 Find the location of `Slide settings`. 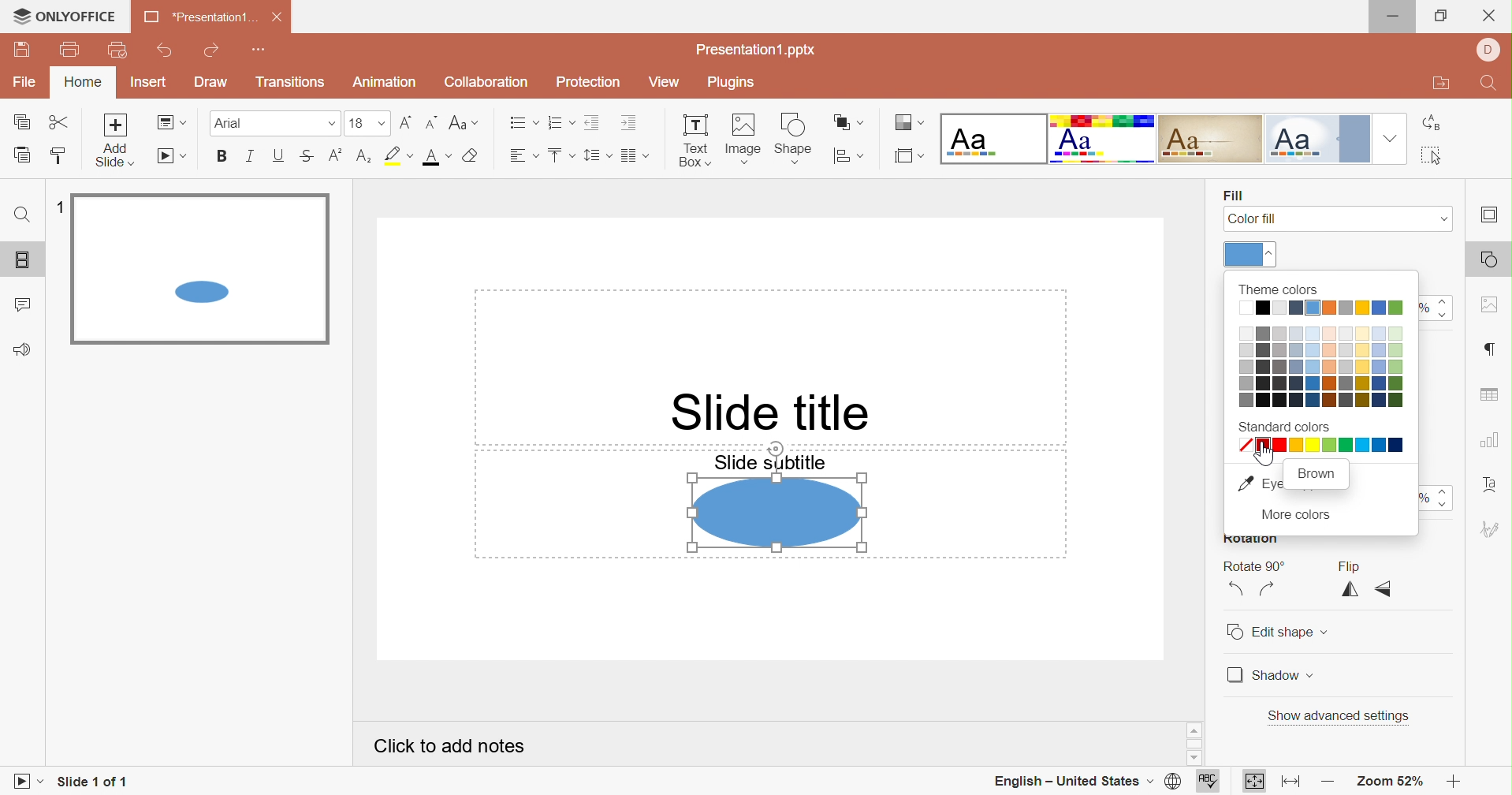

Slide settings is located at coordinates (1491, 215).